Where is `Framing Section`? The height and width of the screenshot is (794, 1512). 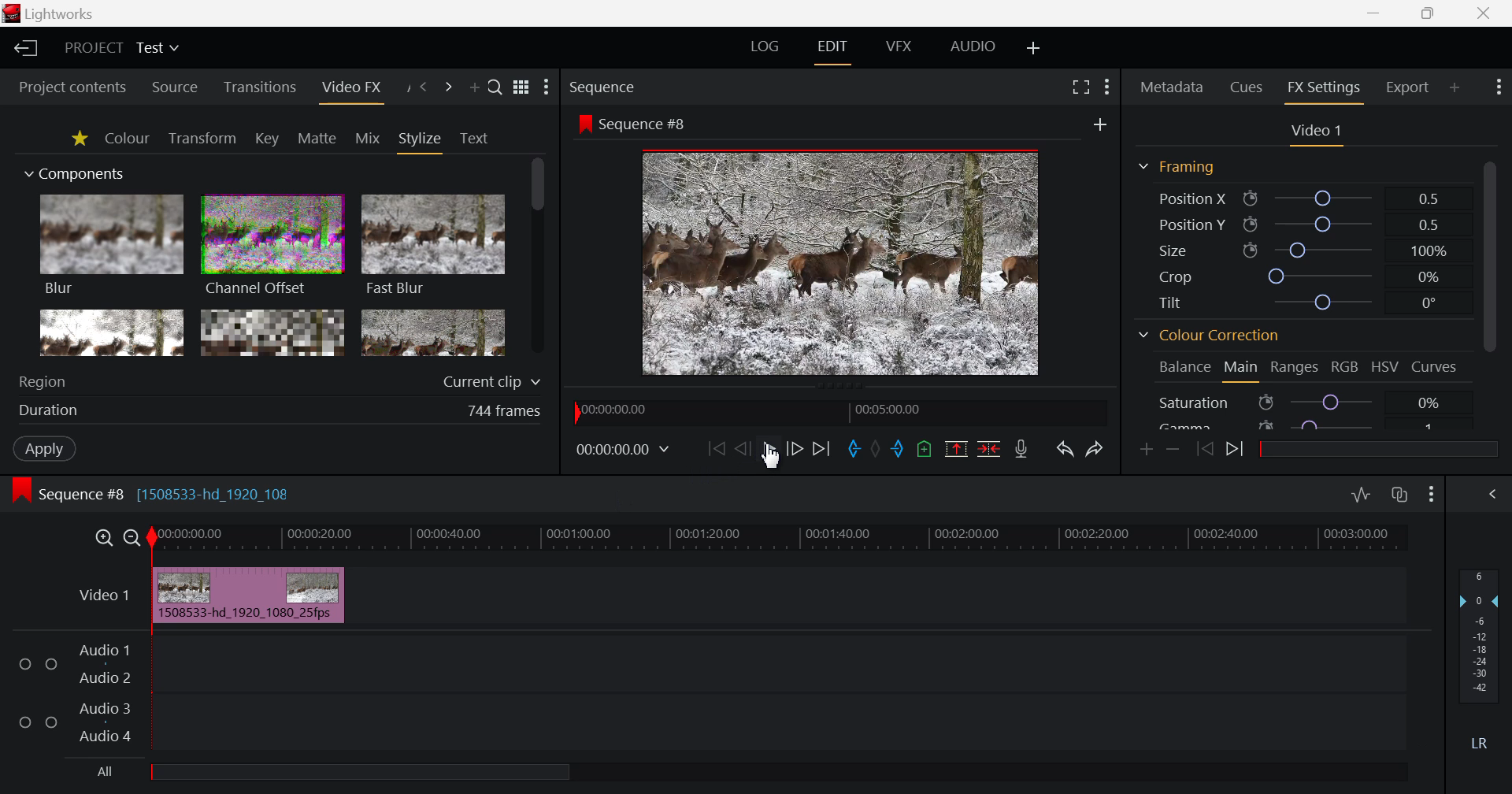 Framing Section is located at coordinates (1176, 169).